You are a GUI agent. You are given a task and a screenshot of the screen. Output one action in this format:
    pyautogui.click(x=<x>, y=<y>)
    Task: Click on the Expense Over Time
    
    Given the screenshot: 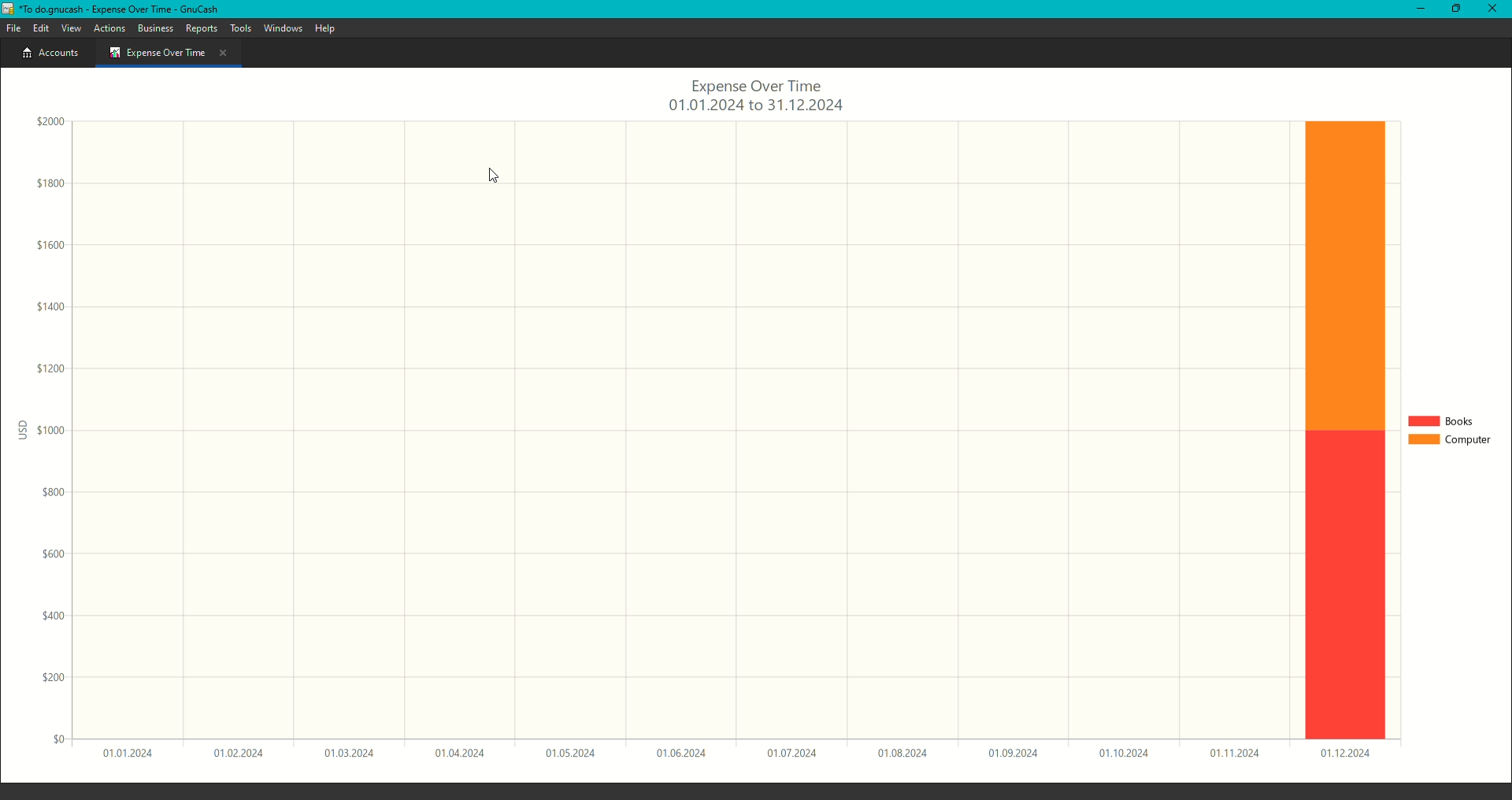 What is the action you would take?
    pyautogui.click(x=169, y=54)
    